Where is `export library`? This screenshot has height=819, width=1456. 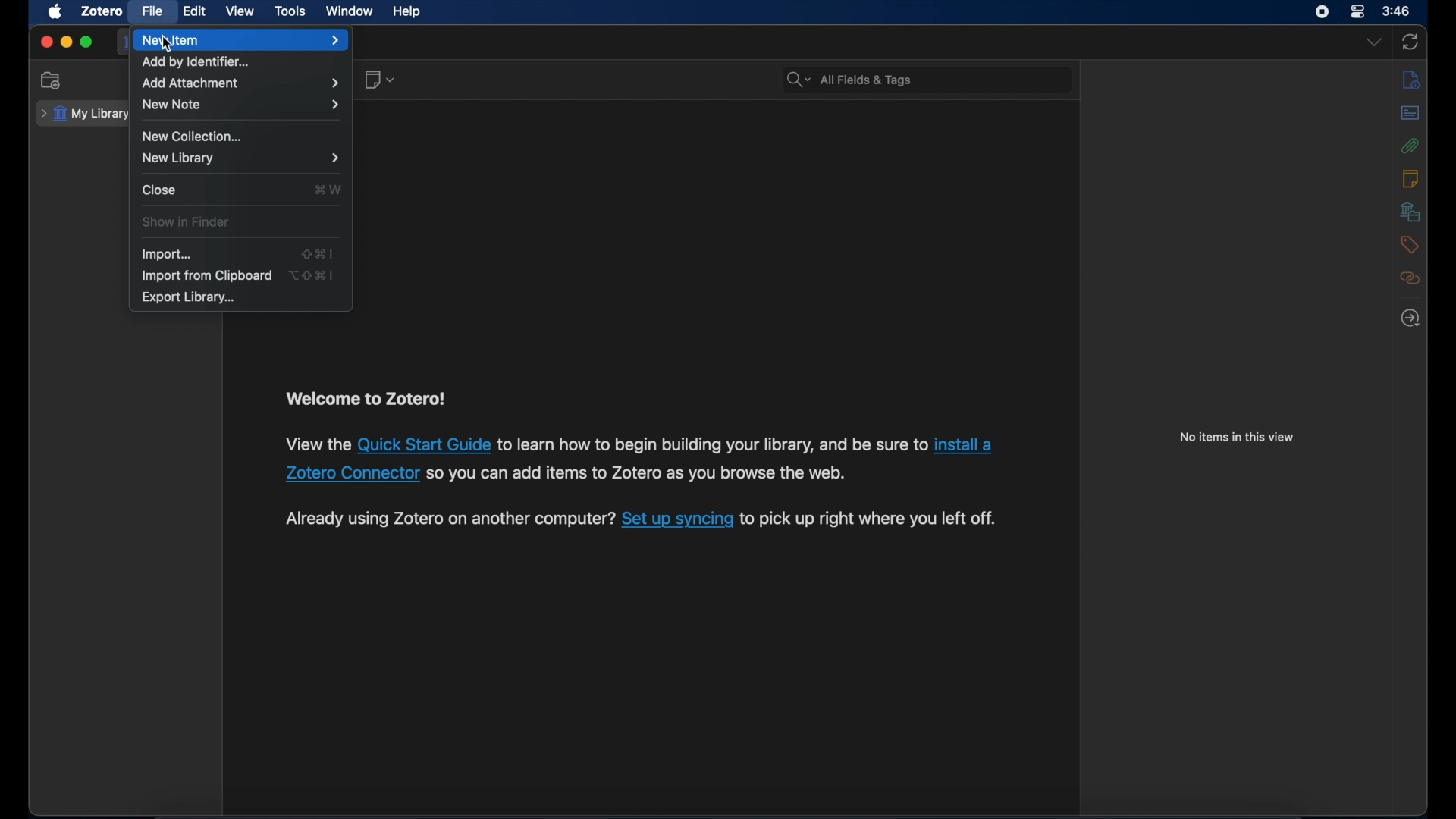 export library is located at coordinates (188, 297).